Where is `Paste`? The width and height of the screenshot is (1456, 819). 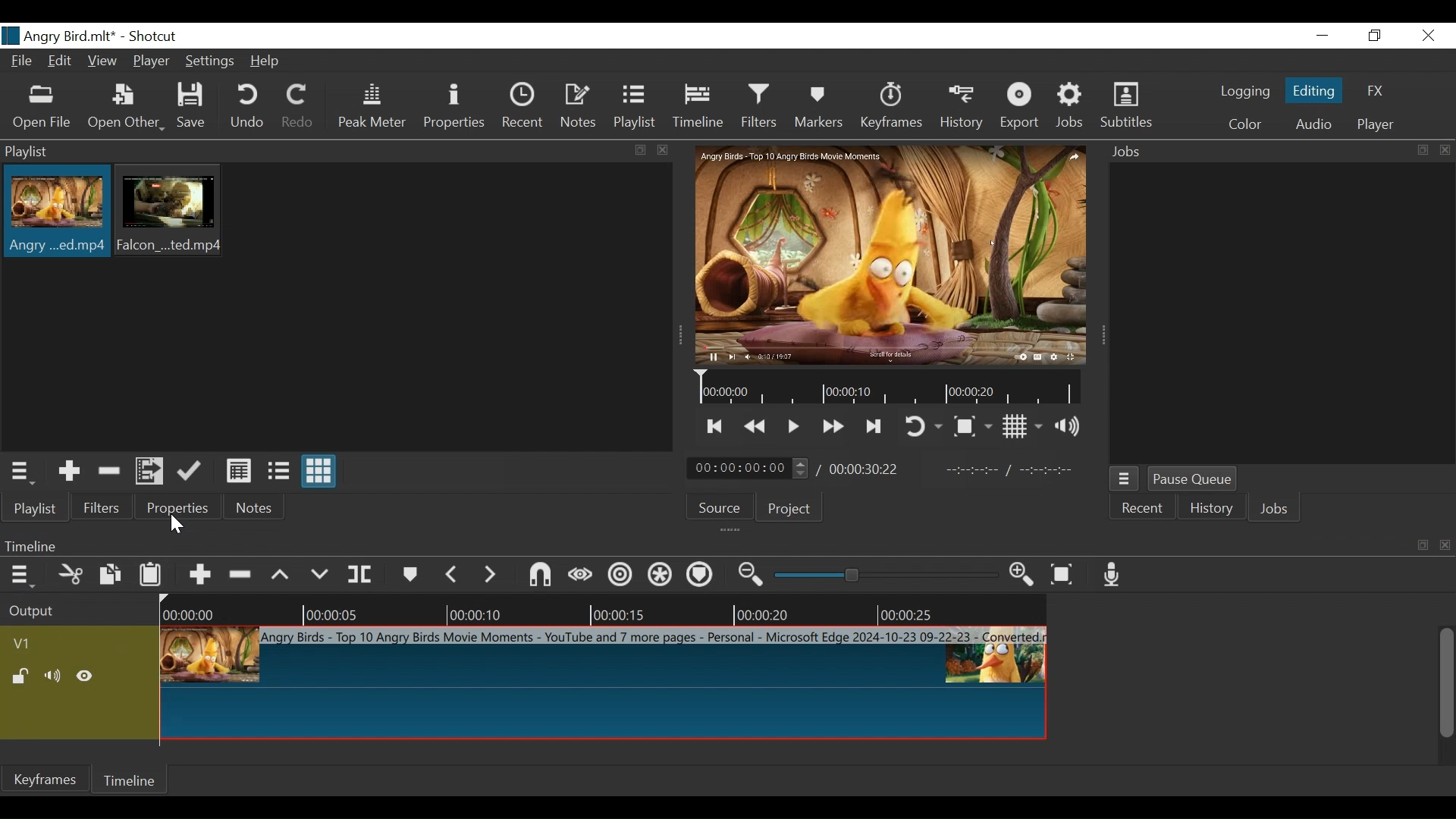 Paste is located at coordinates (153, 576).